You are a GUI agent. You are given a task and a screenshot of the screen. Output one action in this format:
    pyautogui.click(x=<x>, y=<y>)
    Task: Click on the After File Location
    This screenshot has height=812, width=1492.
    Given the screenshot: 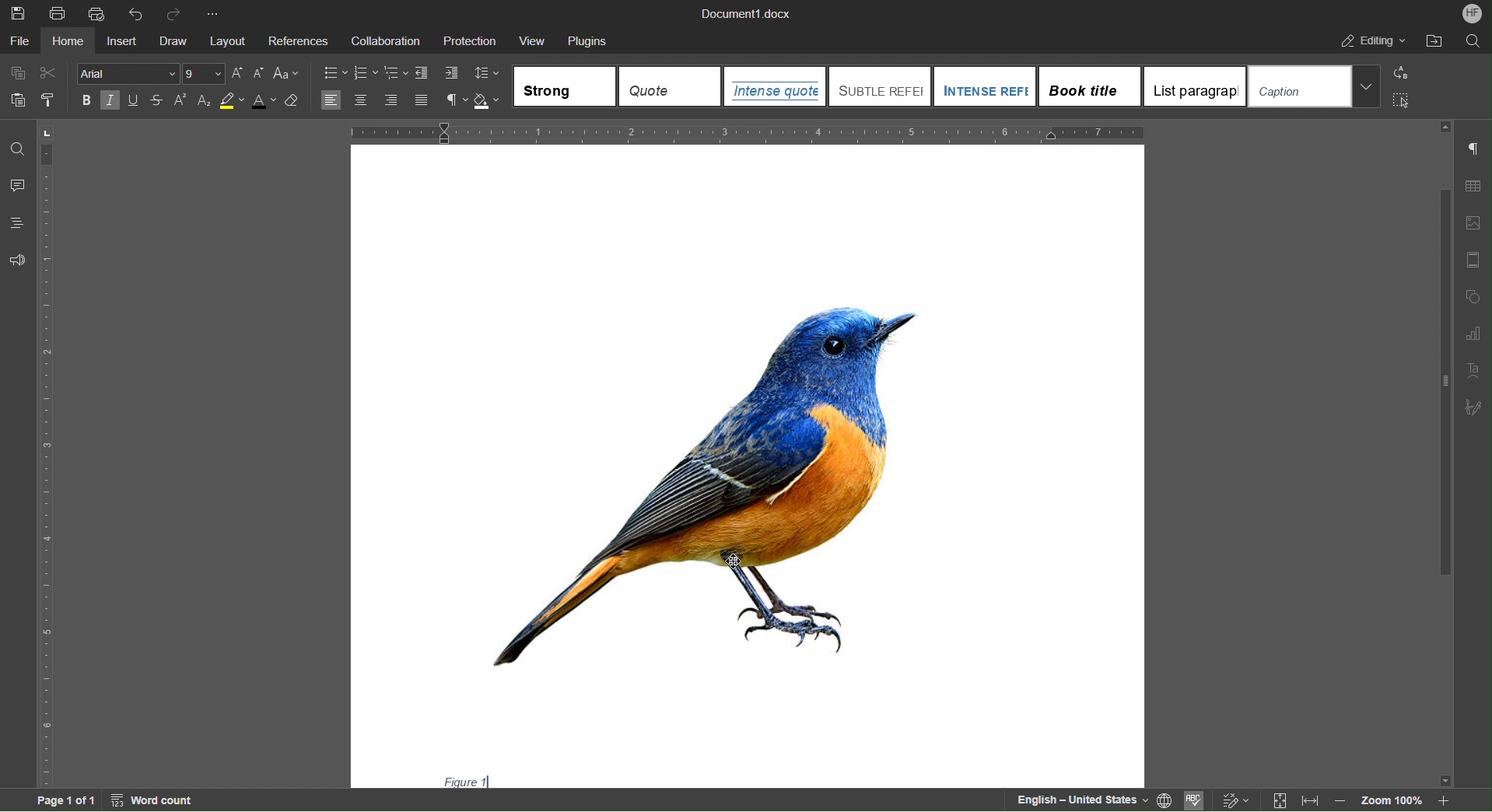 What is the action you would take?
    pyautogui.click(x=1433, y=40)
    